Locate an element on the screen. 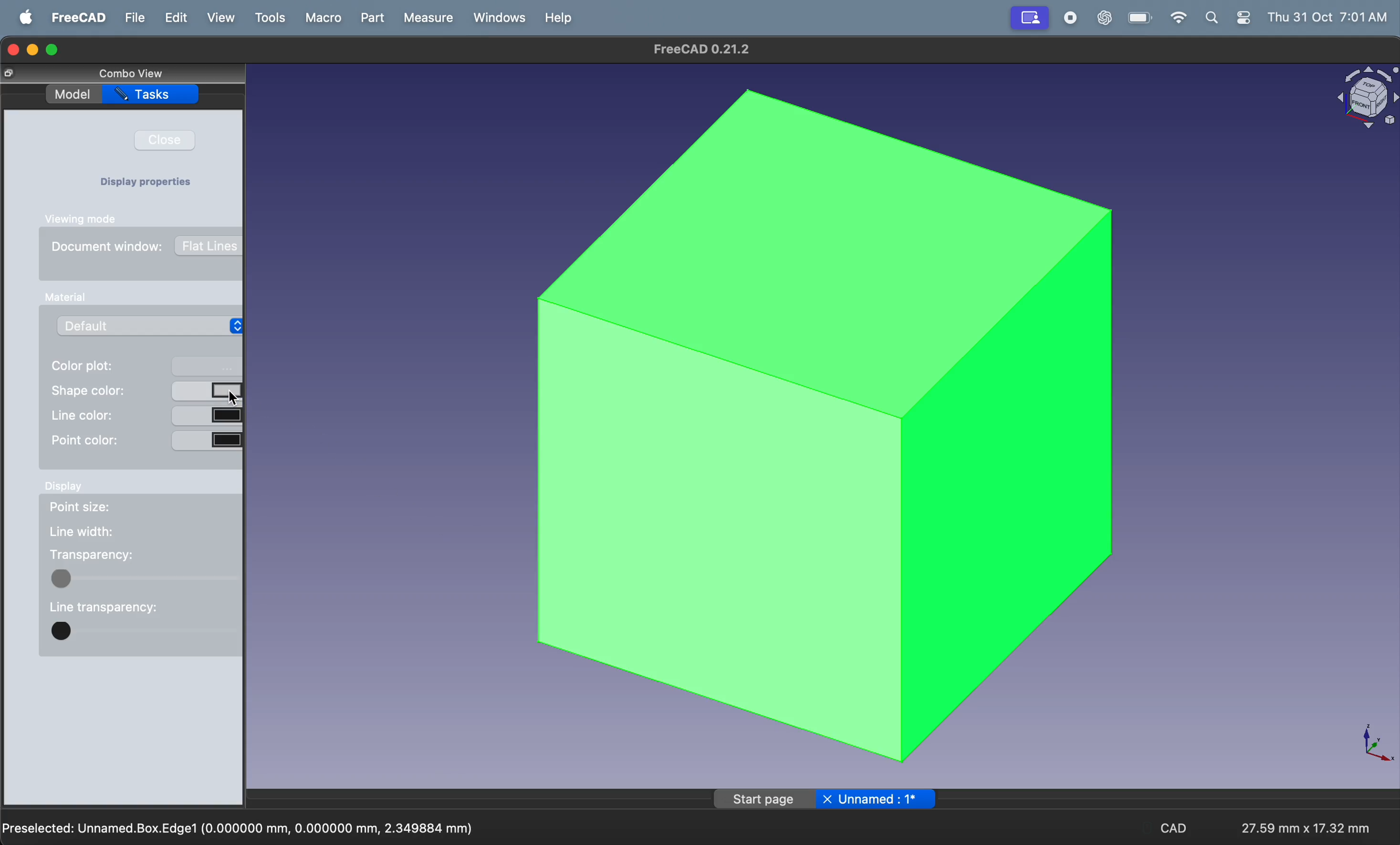 The width and height of the screenshot is (1400, 845). line width is located at coordinates (82, 532).